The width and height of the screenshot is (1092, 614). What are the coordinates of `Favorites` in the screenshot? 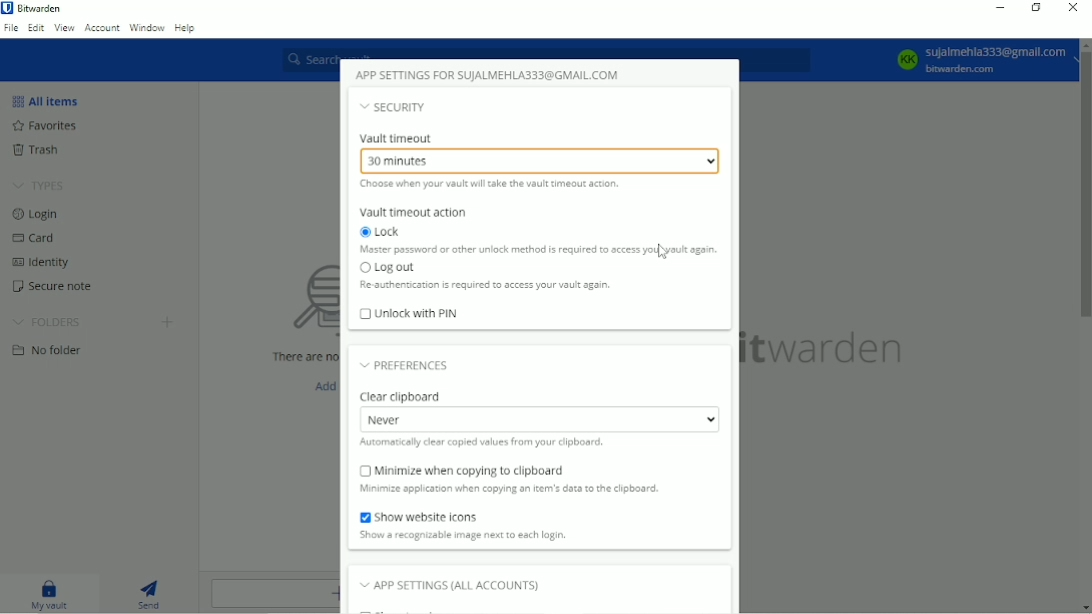 It's located at (51, 126).